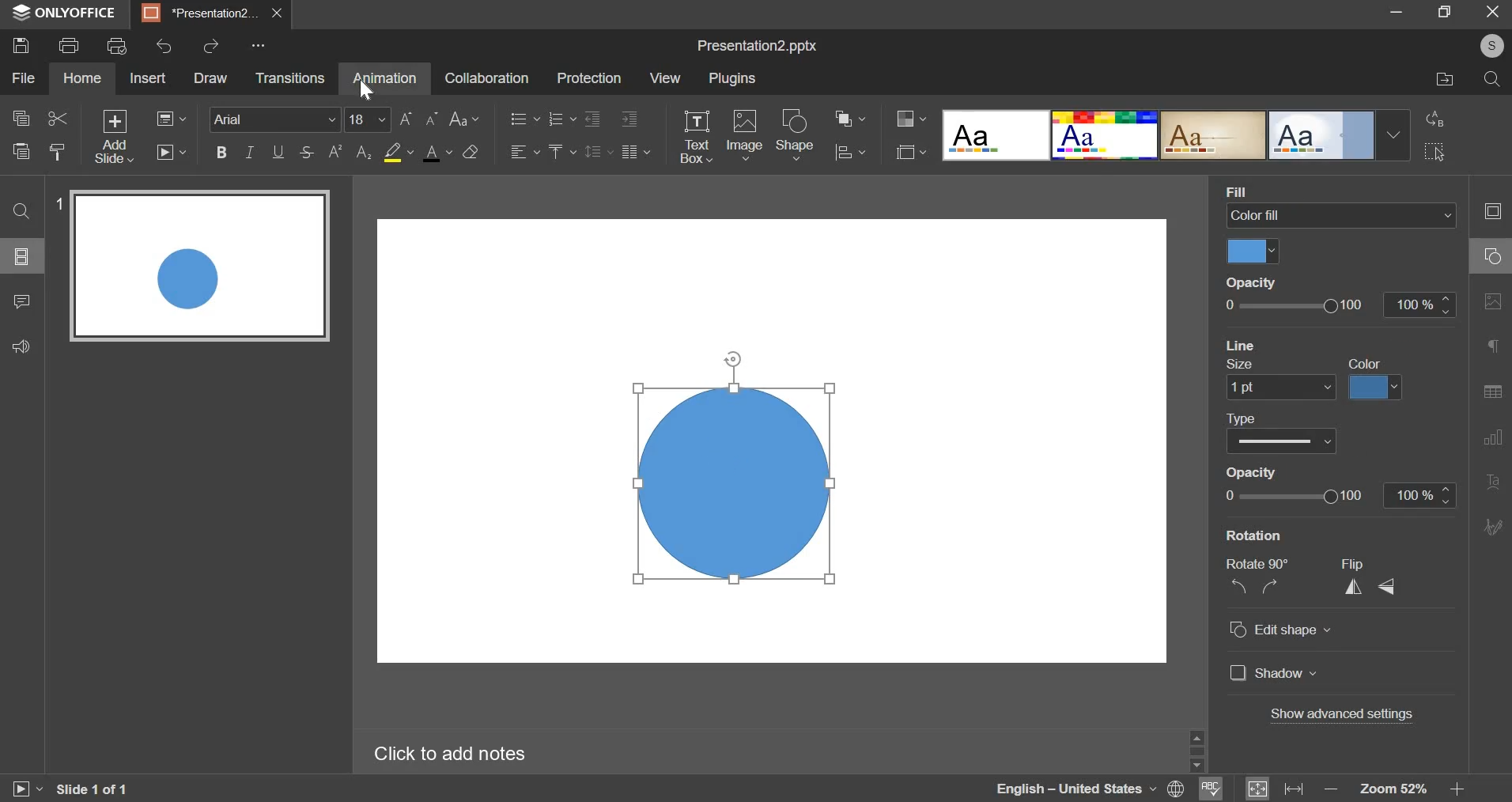  Describe the element at coordinates (561, 118) in the screenshot. I see `numbering` at that location.